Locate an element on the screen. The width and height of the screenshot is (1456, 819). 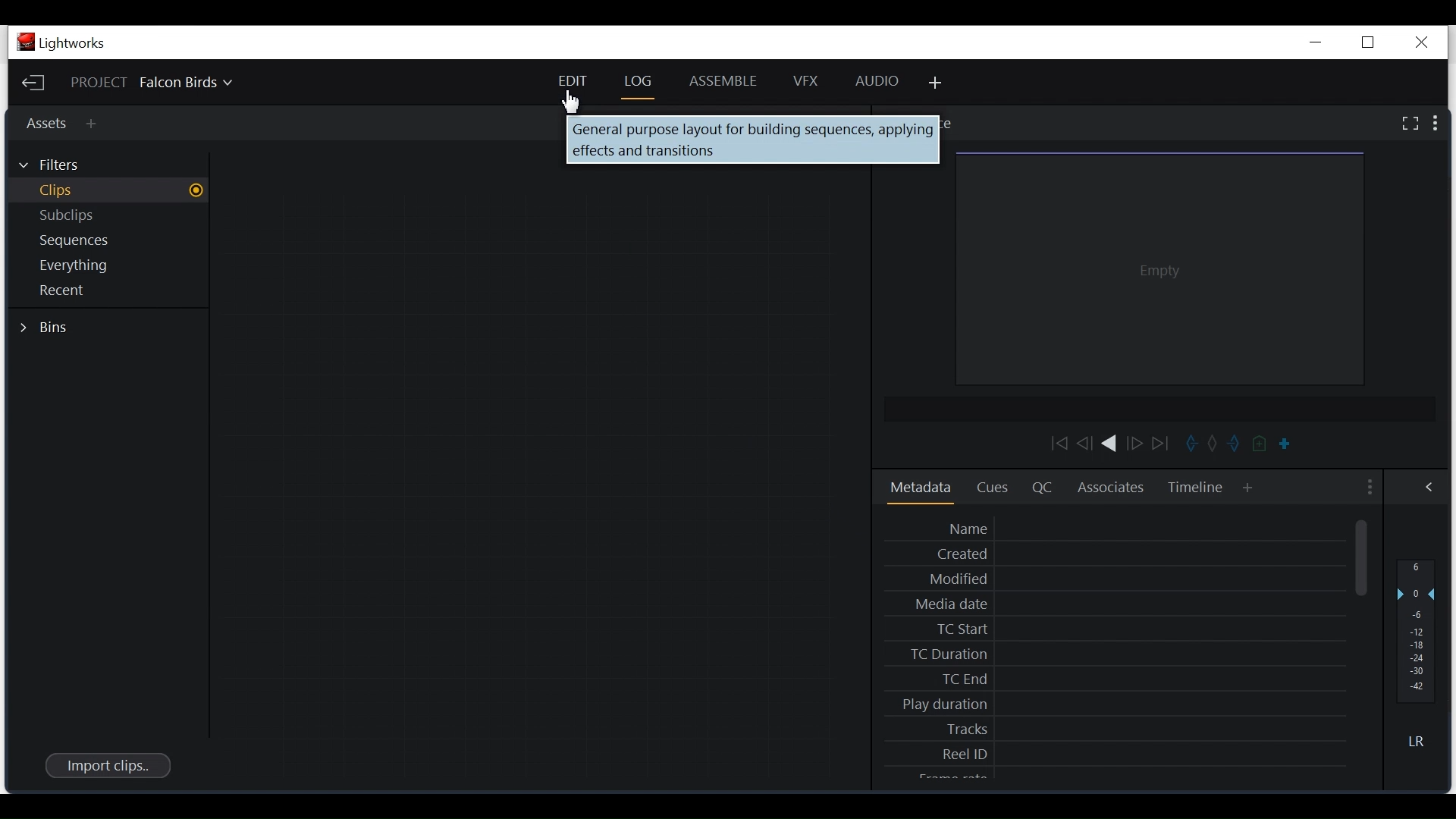
Vertical Scrollbar is located at coordinates (1364, 558).